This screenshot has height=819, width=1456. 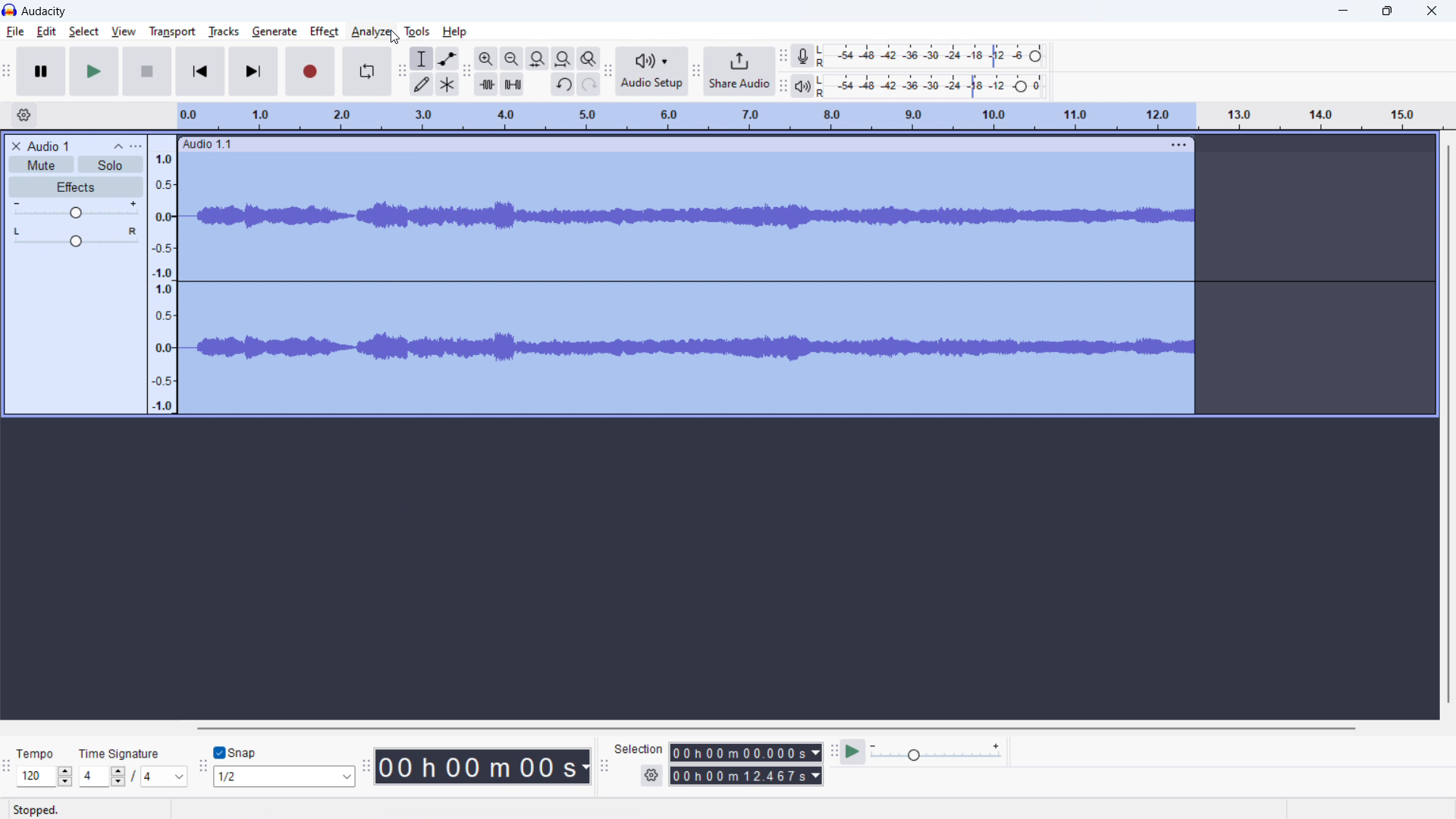 What do you see at coordinates (447, 58) in the screenshot?
I see `envelop  tool` at bounding box center [447, 58].